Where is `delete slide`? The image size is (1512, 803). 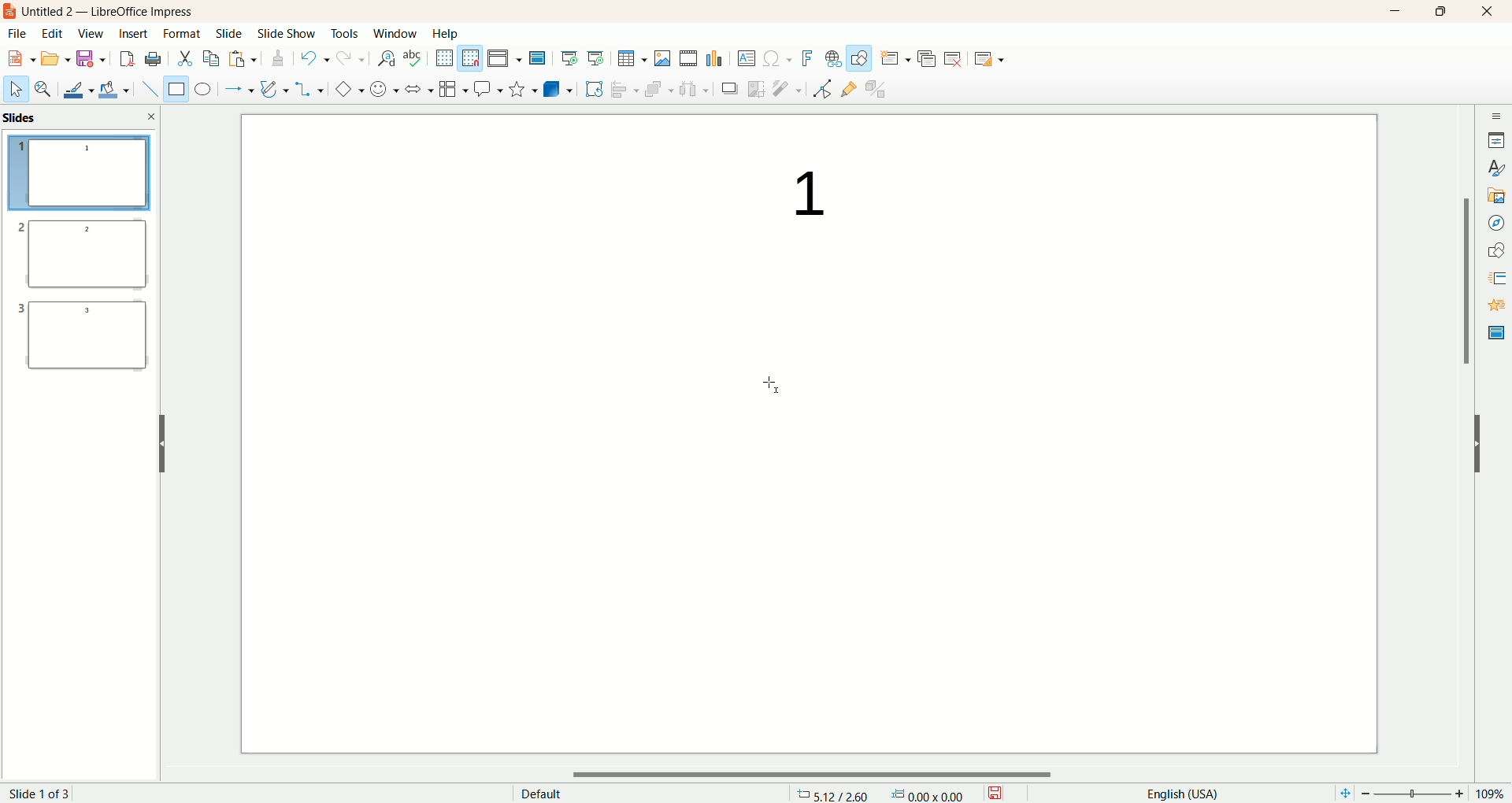 delete slide is located at coordinates (956, 61).